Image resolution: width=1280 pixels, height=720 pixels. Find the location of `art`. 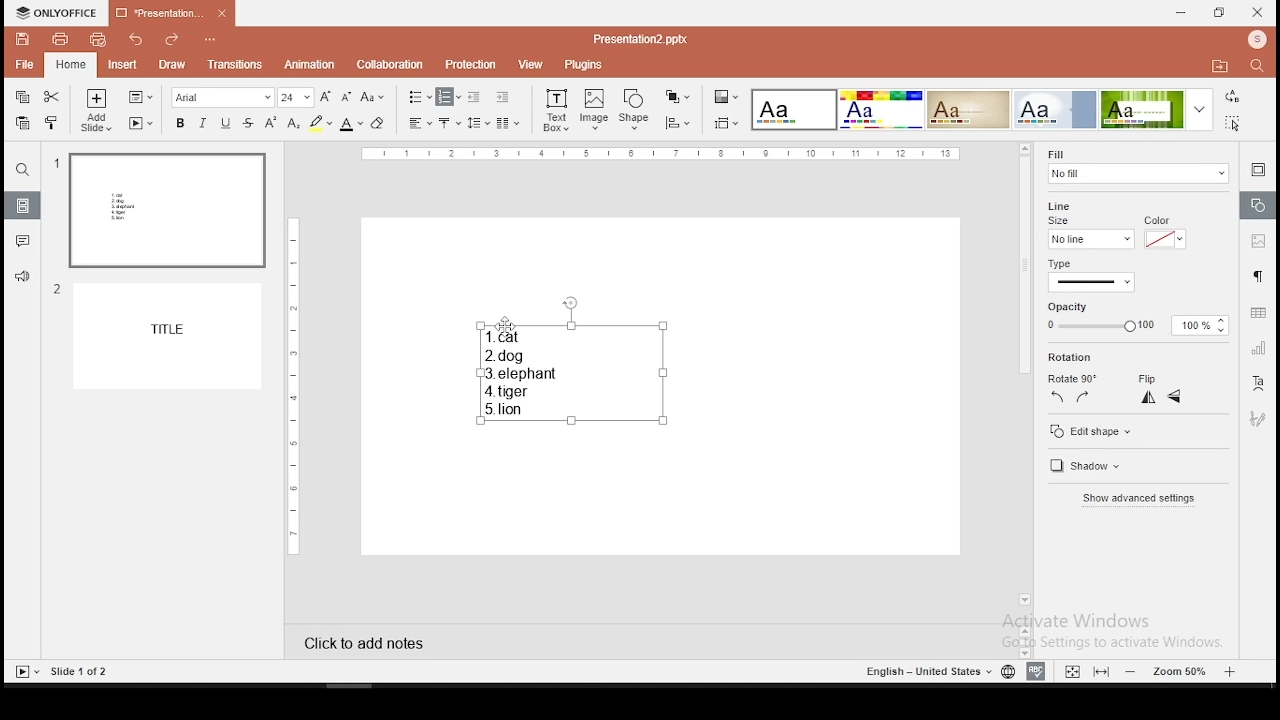

art is located at coordinates (1260, 418).